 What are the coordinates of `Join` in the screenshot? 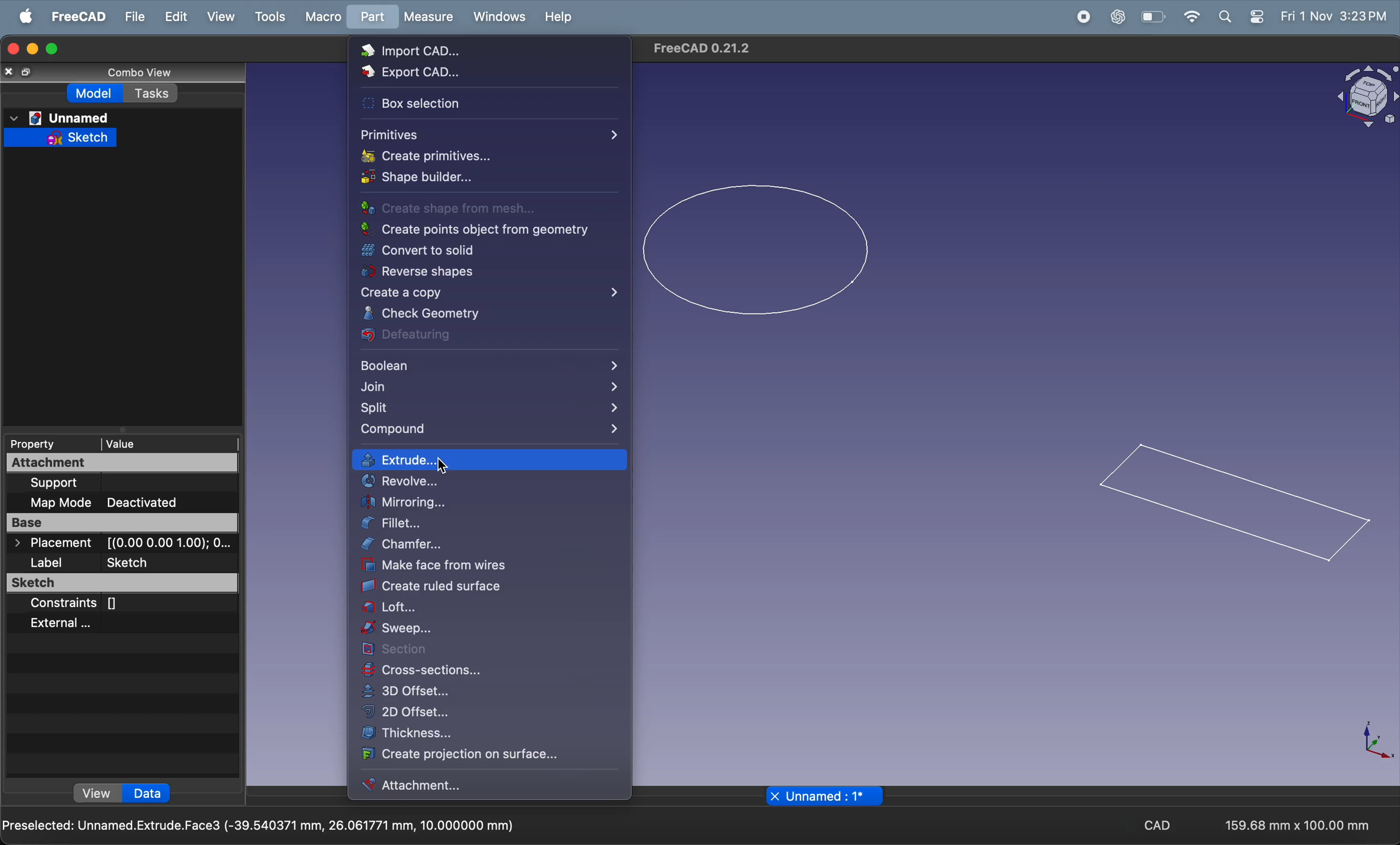 It's located at (489, 388).